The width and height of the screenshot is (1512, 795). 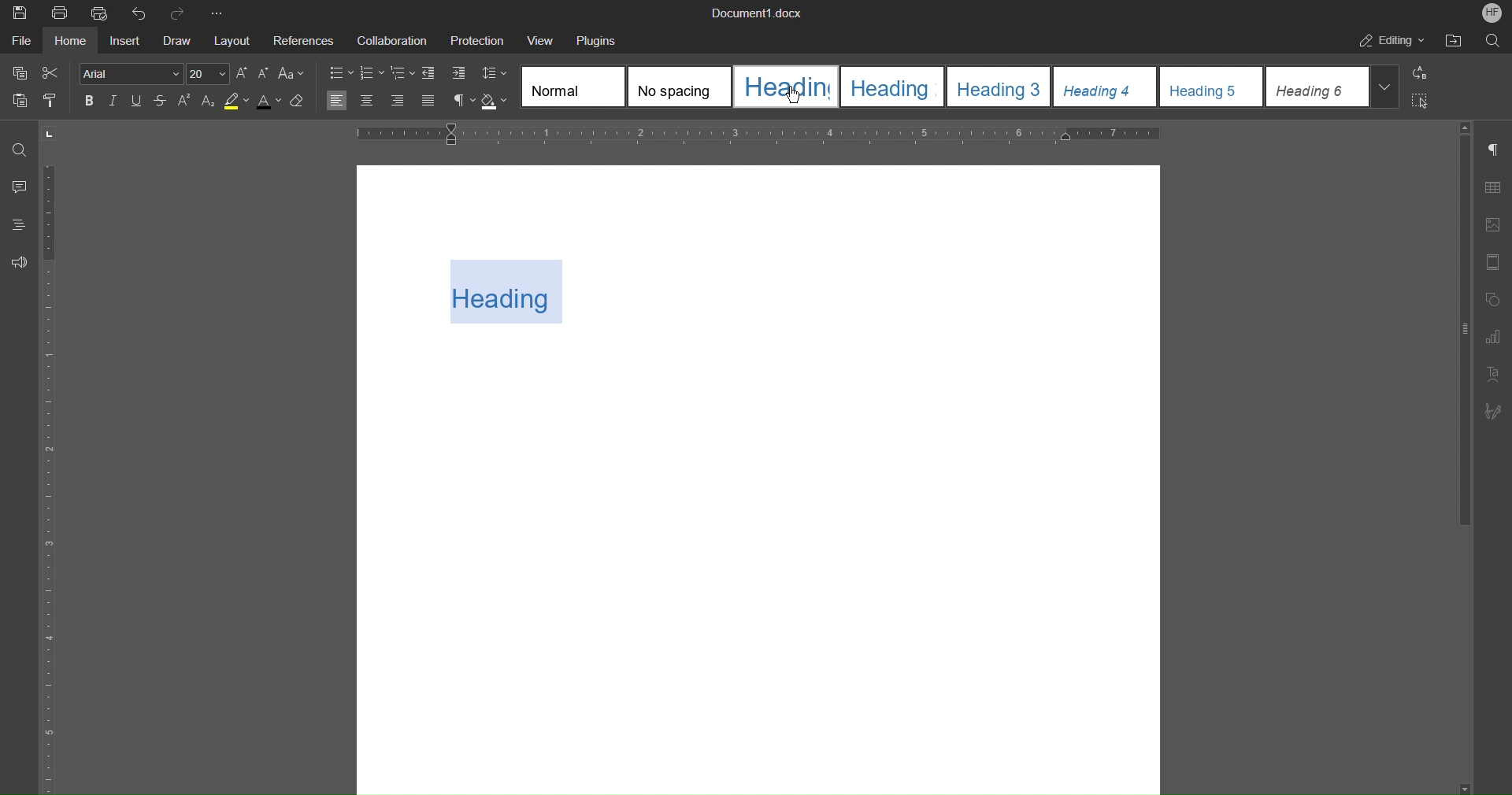 What do you see at coordinates (750, 134) in the screenshot?
I see `Horizontal Ruler` at bounding box center [750, 134].